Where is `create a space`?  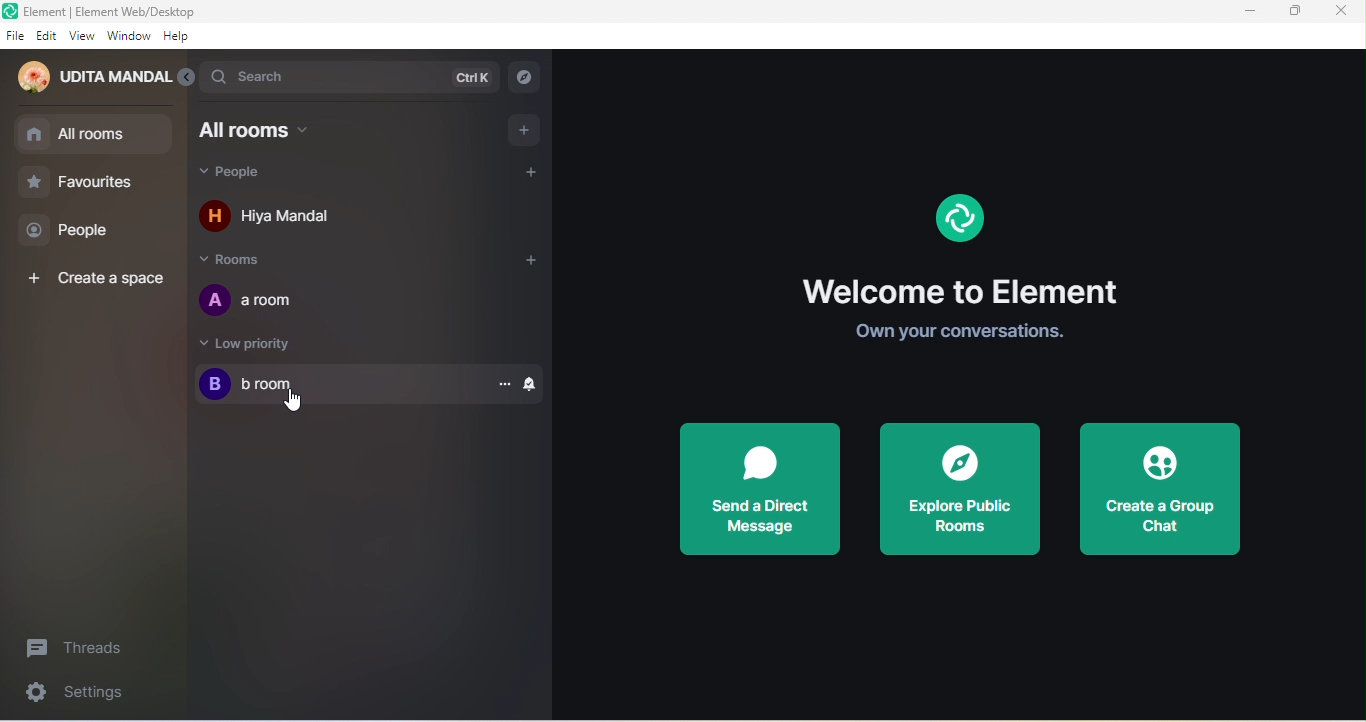 create a space is located at coordinates (93, 275).